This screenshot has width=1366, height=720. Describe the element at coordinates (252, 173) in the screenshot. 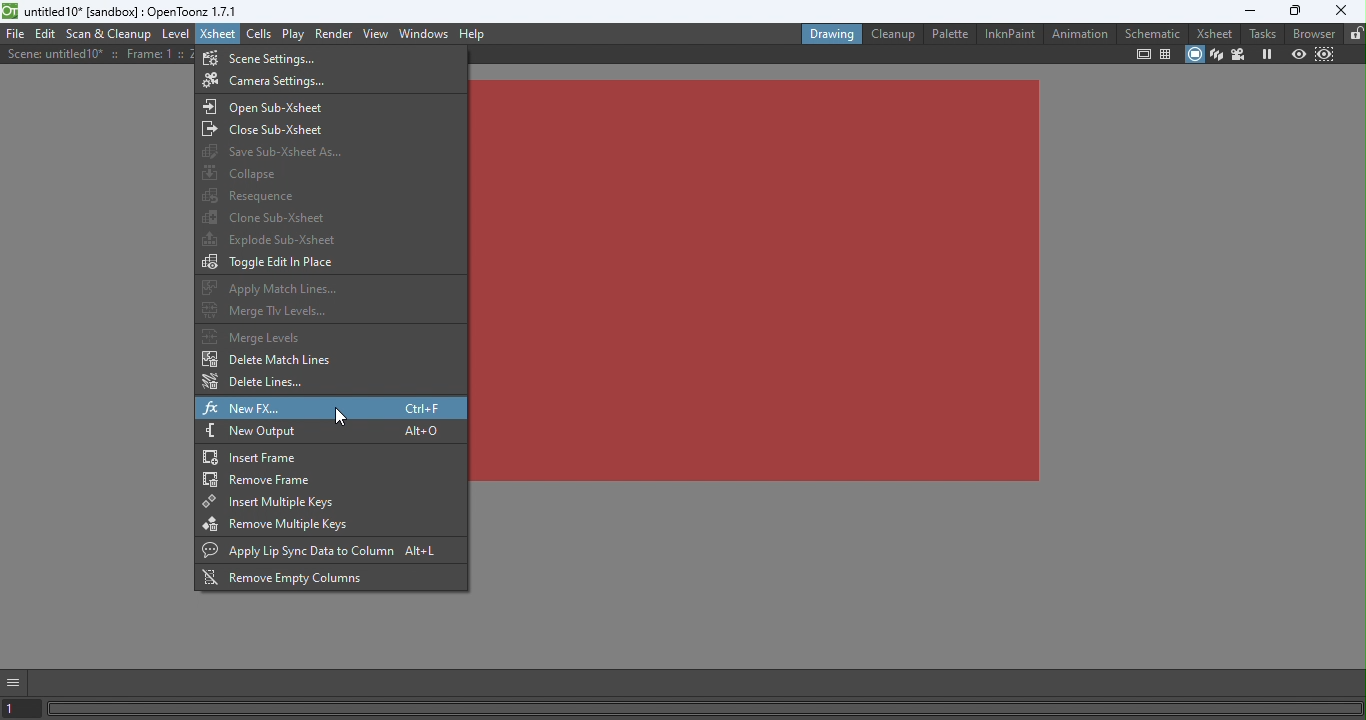

I see `Collapse` at that location.